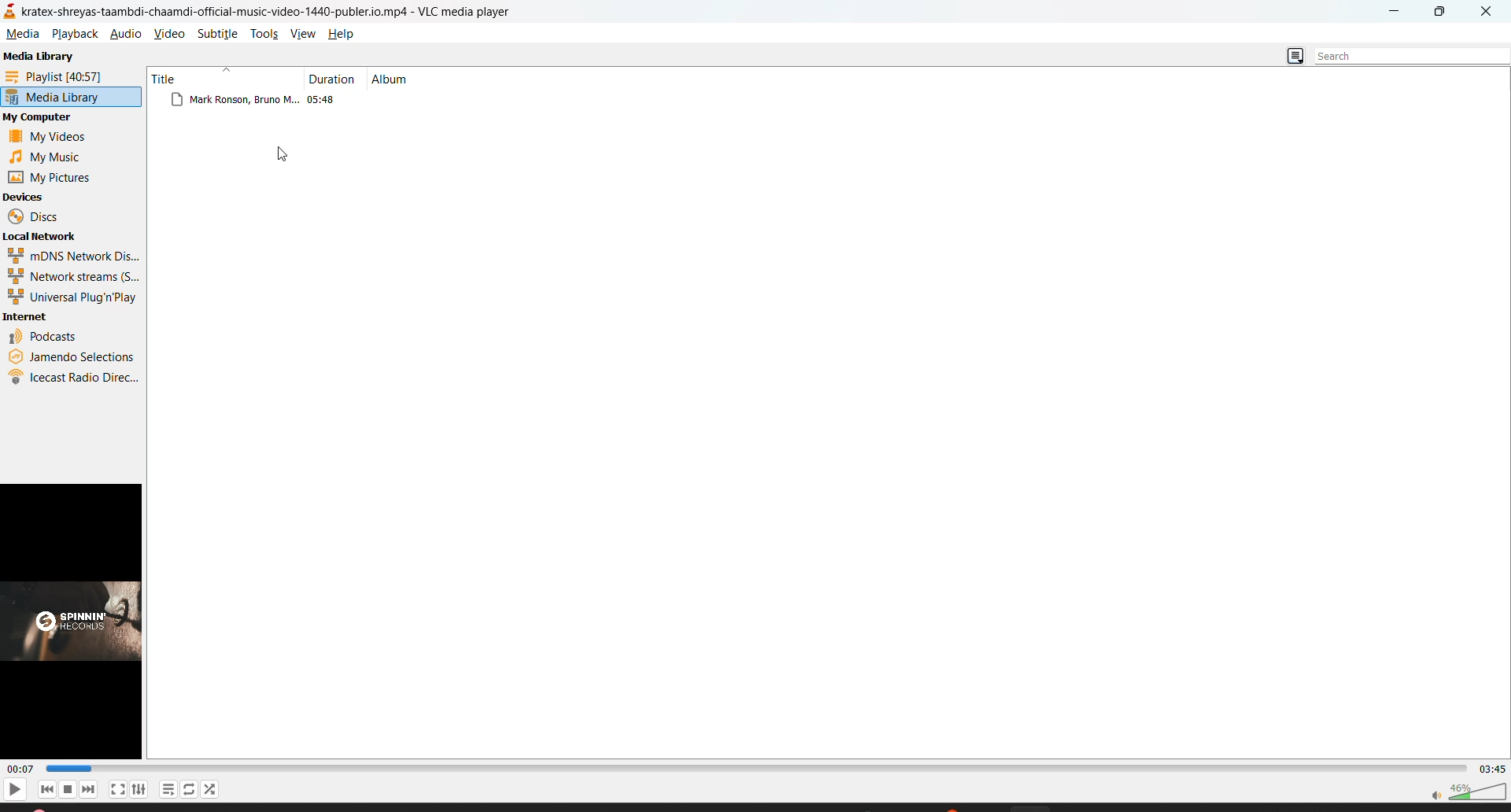 The height and width of the screenshot is (812, 1511). What do you see at coordinates (74, 257) in the screenshot?
I see `mdns network` at bounding box center [74, 257].